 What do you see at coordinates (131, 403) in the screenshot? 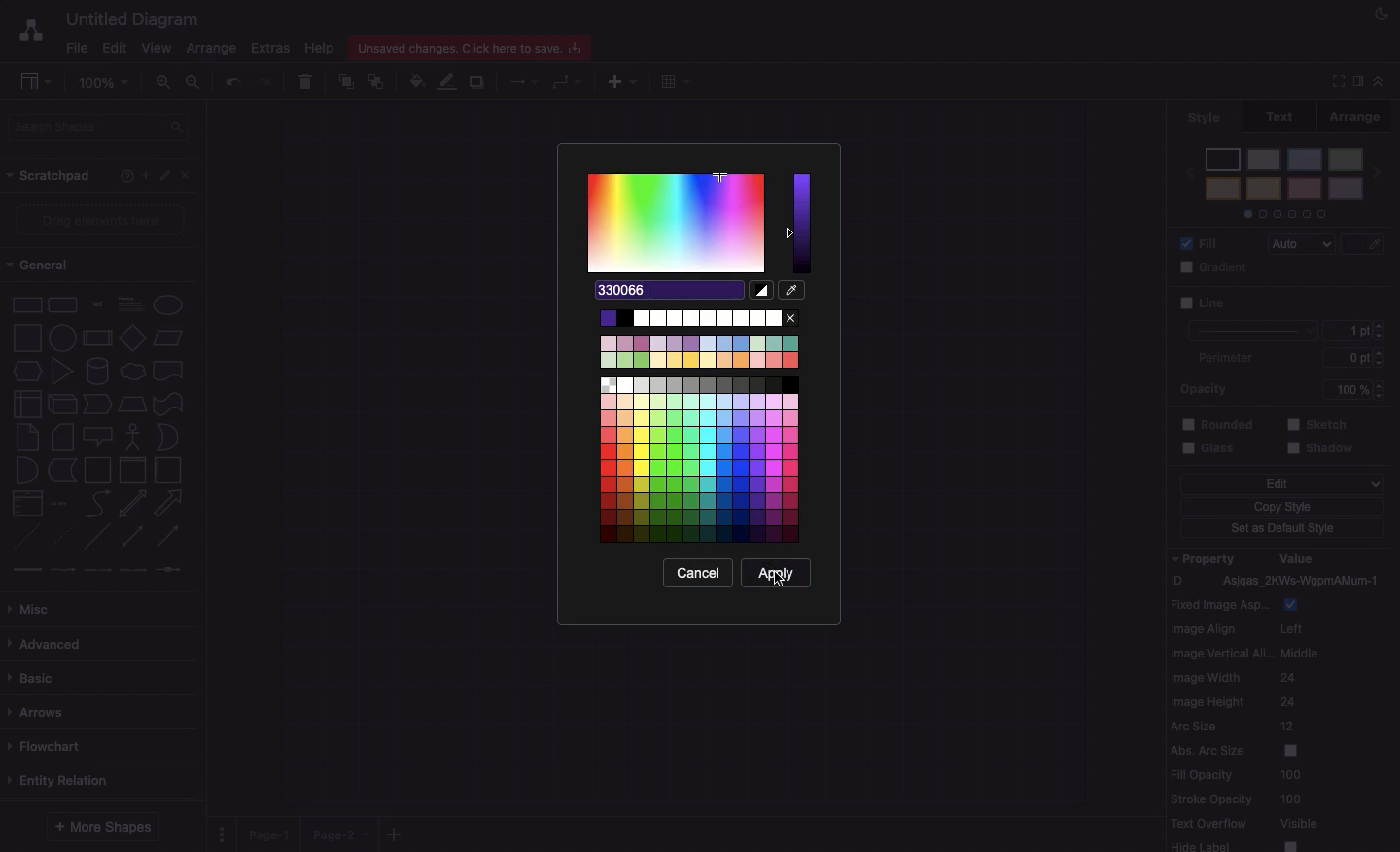
I see `trapezoid` at bounding box center [131, 403].